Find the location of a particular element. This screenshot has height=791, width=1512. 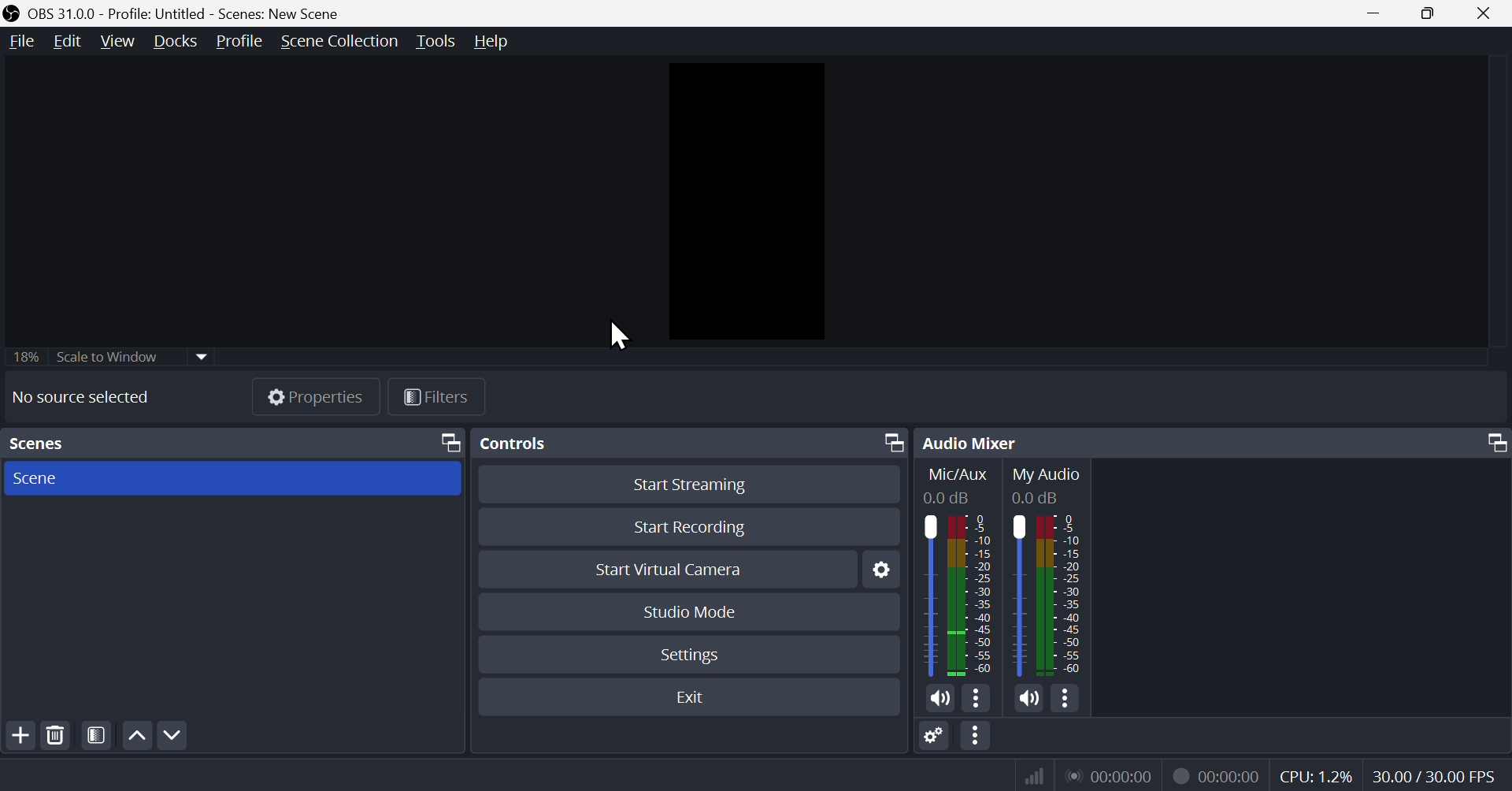

Scene is located at coordinates (231, 477).